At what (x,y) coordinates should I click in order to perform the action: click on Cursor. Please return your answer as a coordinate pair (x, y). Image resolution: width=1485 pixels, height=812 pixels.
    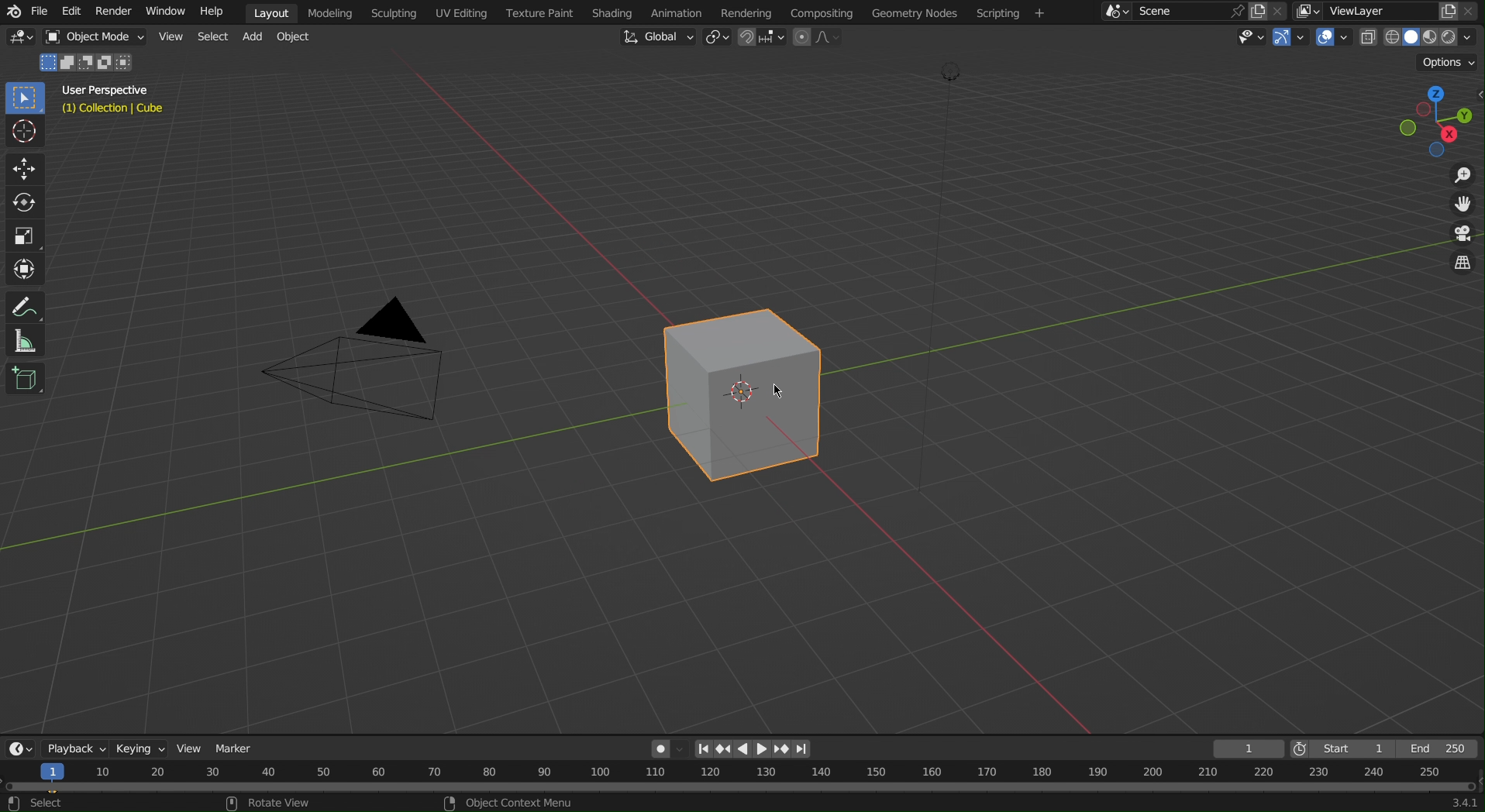
    Looking at the image, I should click on (23, 134).